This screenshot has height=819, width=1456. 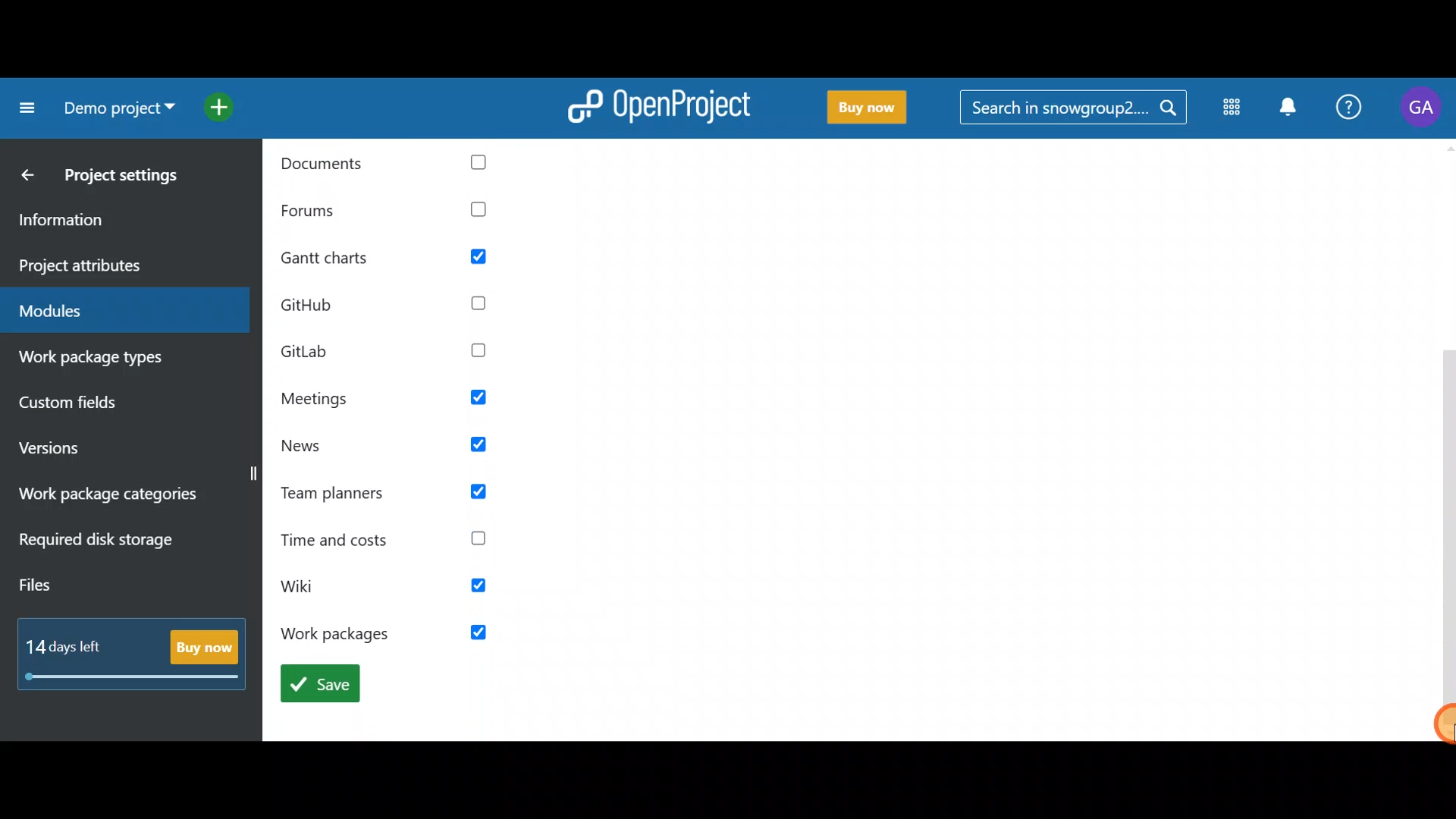 I want to click on save, so click(x=323, y=685).